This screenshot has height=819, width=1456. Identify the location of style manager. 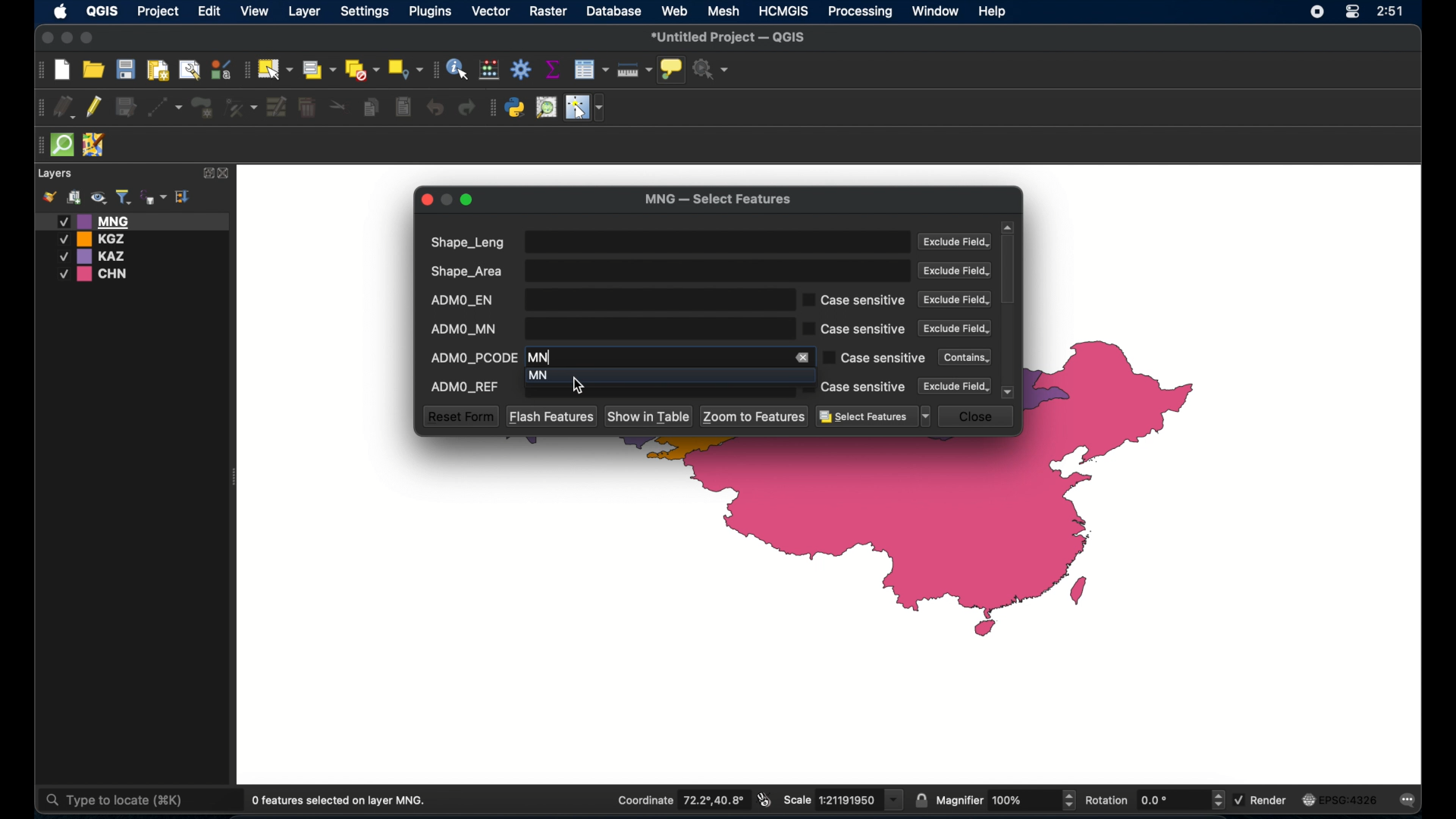
(221, 67).